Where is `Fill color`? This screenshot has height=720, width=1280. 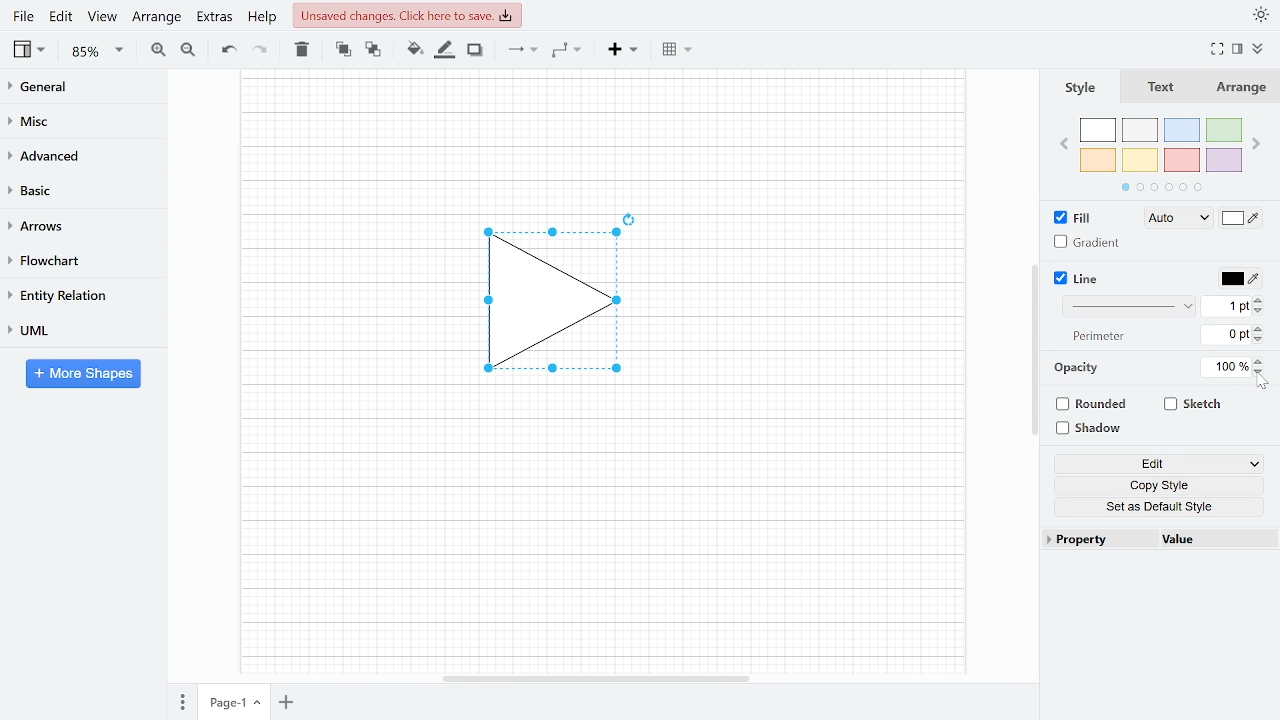
Fill color is located at coordinates (1242, 220).